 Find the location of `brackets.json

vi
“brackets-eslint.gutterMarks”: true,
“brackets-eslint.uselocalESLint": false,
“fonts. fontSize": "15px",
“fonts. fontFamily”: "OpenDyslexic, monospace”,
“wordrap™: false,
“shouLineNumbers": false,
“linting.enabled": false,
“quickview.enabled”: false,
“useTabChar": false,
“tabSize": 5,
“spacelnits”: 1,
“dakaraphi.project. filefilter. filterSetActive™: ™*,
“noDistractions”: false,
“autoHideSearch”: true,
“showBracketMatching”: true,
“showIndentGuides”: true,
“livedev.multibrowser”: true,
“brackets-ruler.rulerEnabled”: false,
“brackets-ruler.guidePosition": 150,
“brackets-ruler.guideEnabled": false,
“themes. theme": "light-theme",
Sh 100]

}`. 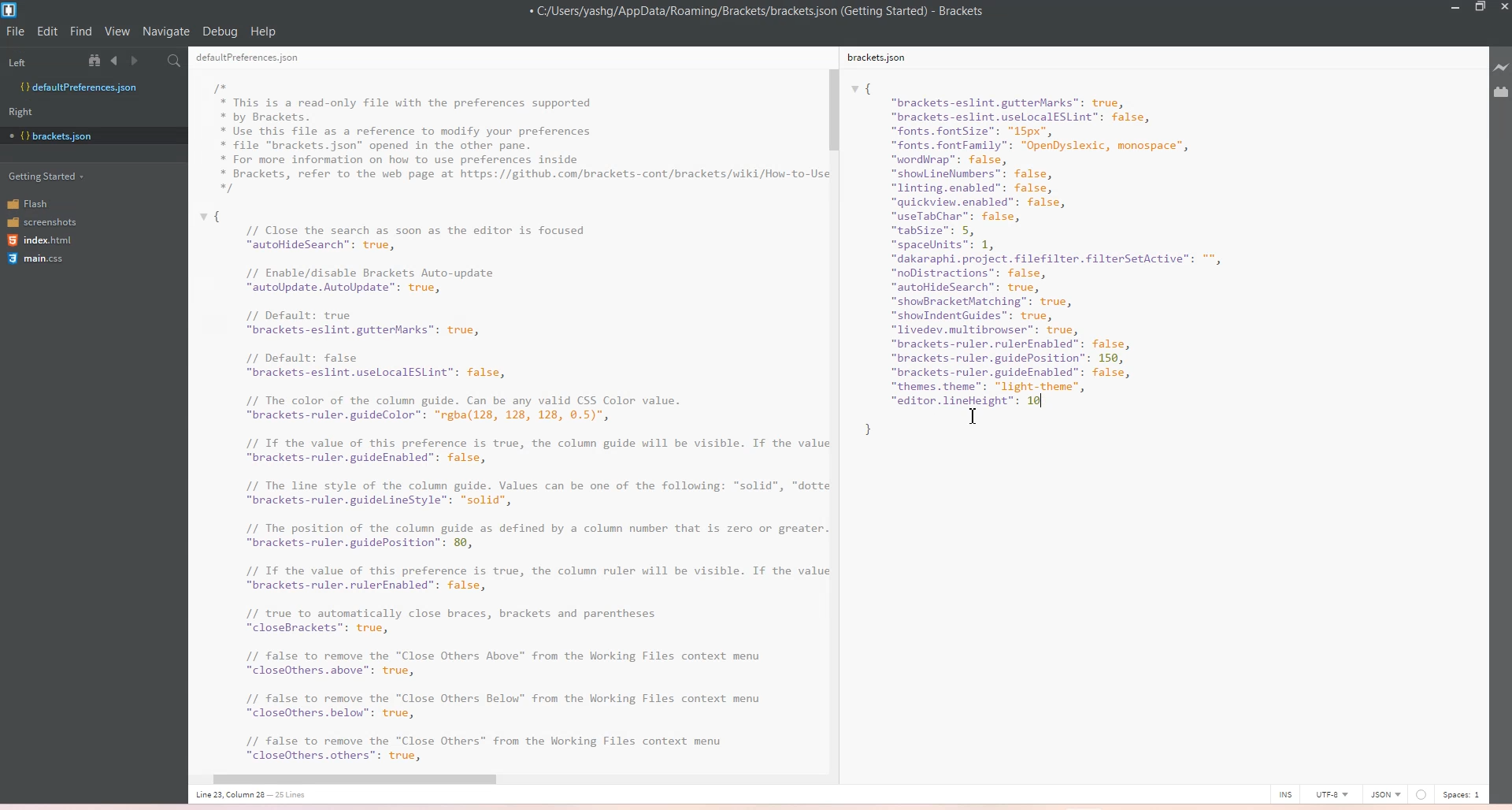

brackets.json

vi
“brackets-eslint.gutterMarks”: true,
“brackets-eslint.uselocalESLint": false,
“fonts. fontSize": "15px",
“fonts. fontFamily”: "OpenDyslexic, monospace”,
“wordrap™: false,
“shouLineNumbers": false,
“linting.enabled": false,
“quickview.enabled”: false,
“useTabChar": false,
“tabSize": 5,
“spacelnits”: 1,
“dakaraphi.project. filefilter. filterSetActive™: ™*,
“noDistractions”: false,
“autoHideSearch”: true,
“showBracketMatching”: true,
“showIndentGuides”: true,
“livedev.multibrowser”: true,
“brackets-ruler.rulerEnabled”: false,
“brackets-ruler.guidePosition": 150,
“brackets-ruler.guideEnabled": false,
“themes. theme": "light-theme",
Sh 100]

} is located at coordinates (1067, 271).